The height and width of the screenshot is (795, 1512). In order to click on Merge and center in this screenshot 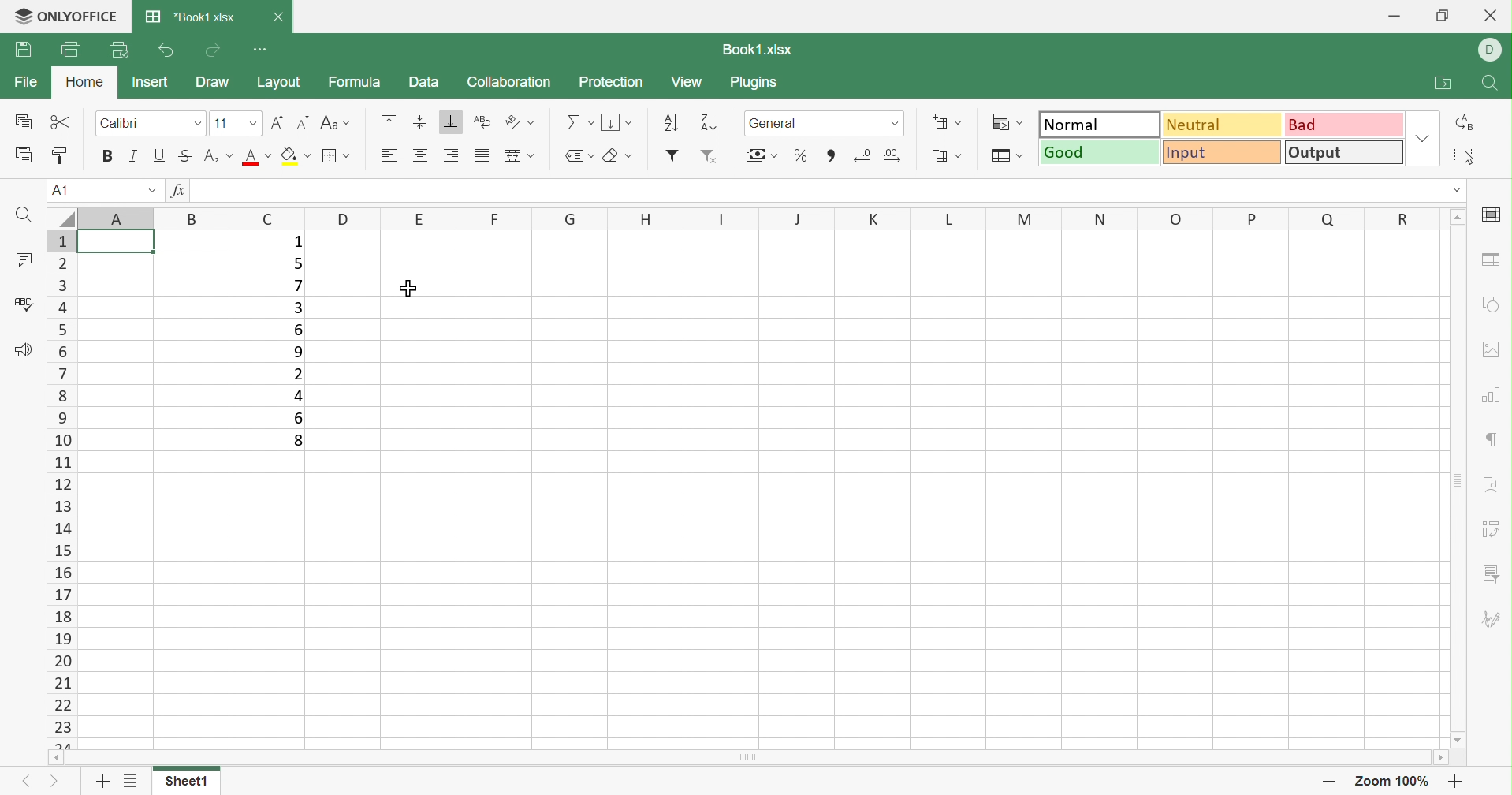, I will do `click(517, 156)`.